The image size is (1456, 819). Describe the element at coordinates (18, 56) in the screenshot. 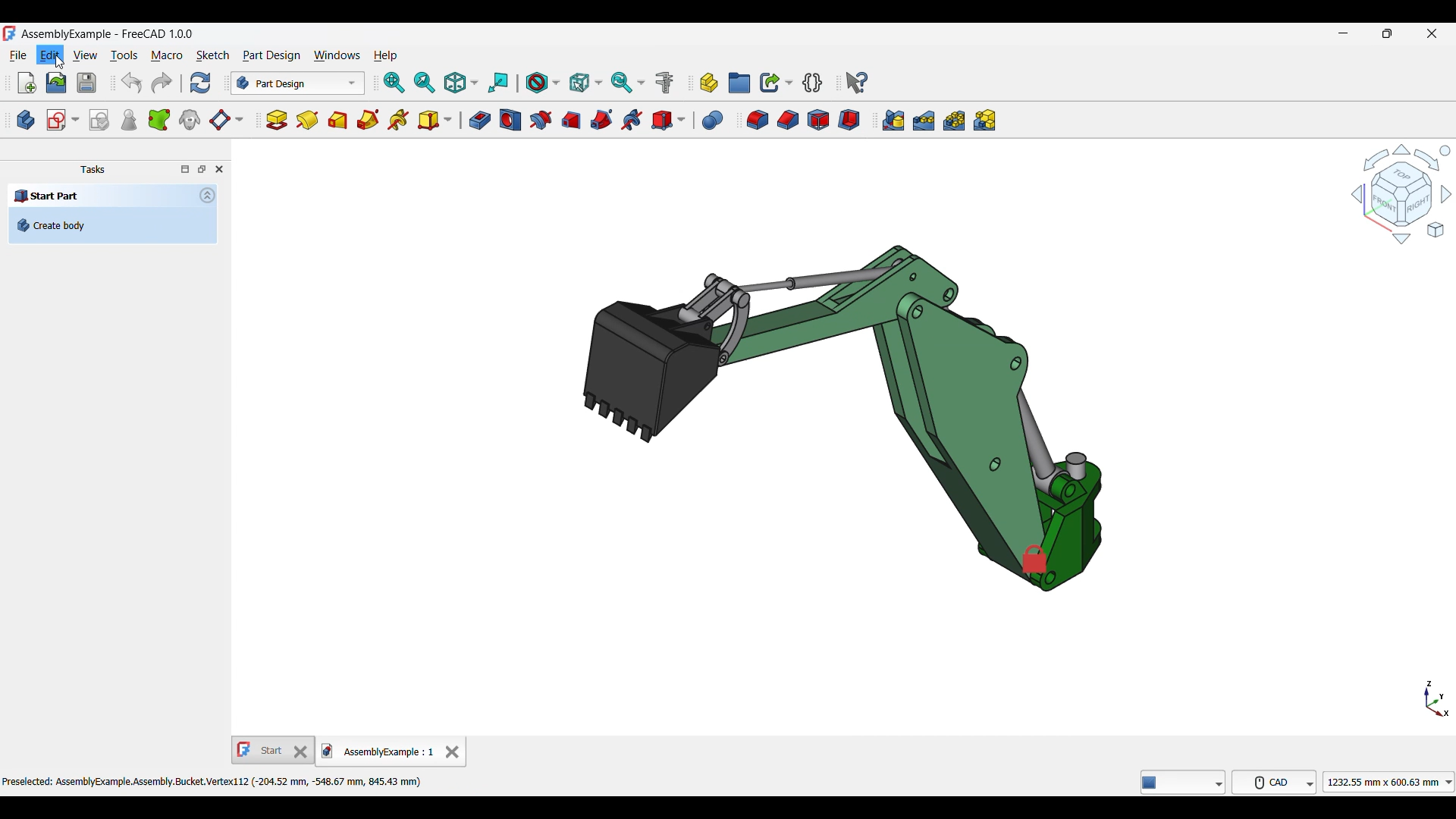

I see `File menu` at that location.